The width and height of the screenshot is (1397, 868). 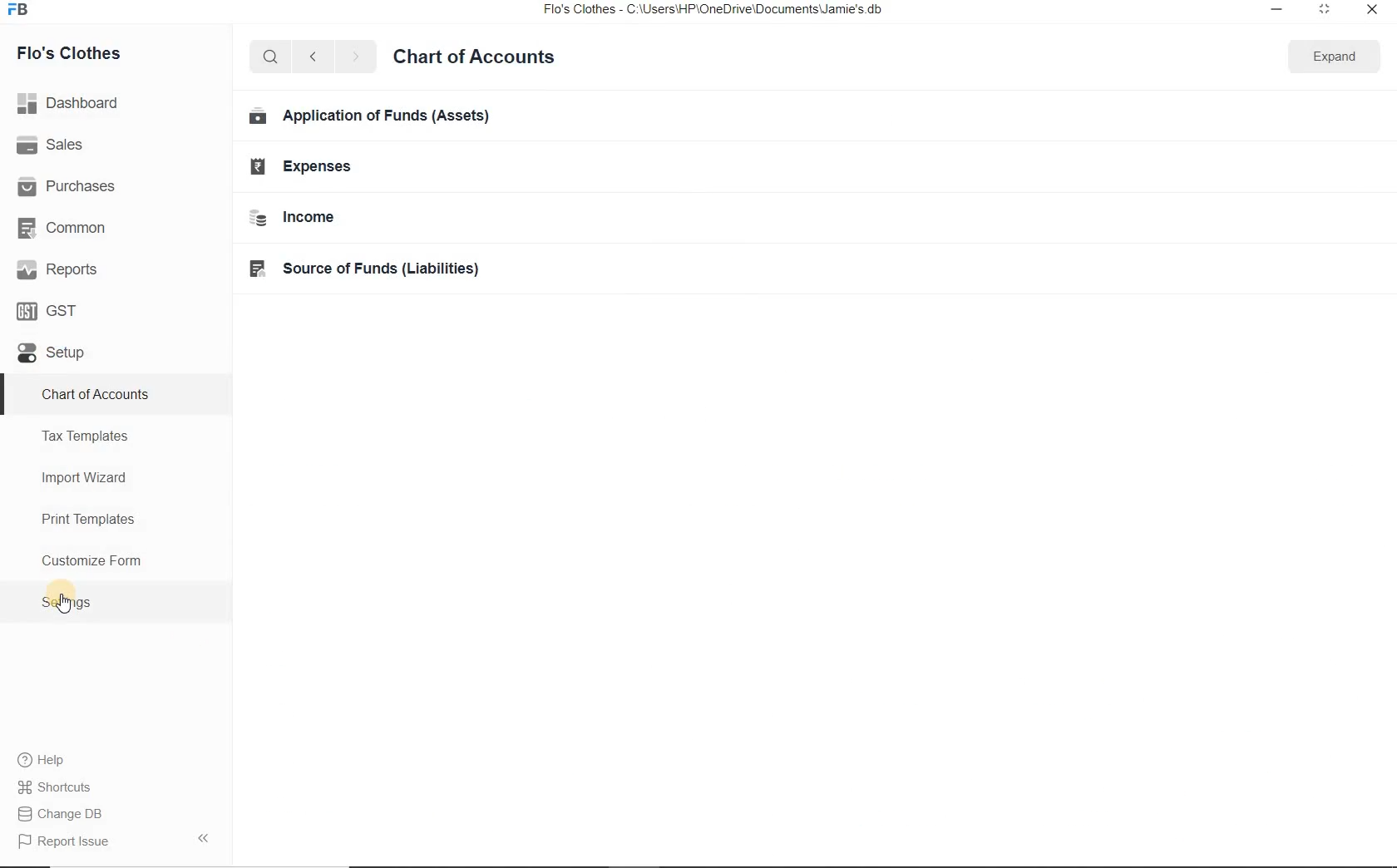 I want to click on Close, so click(x=1370, y=11).